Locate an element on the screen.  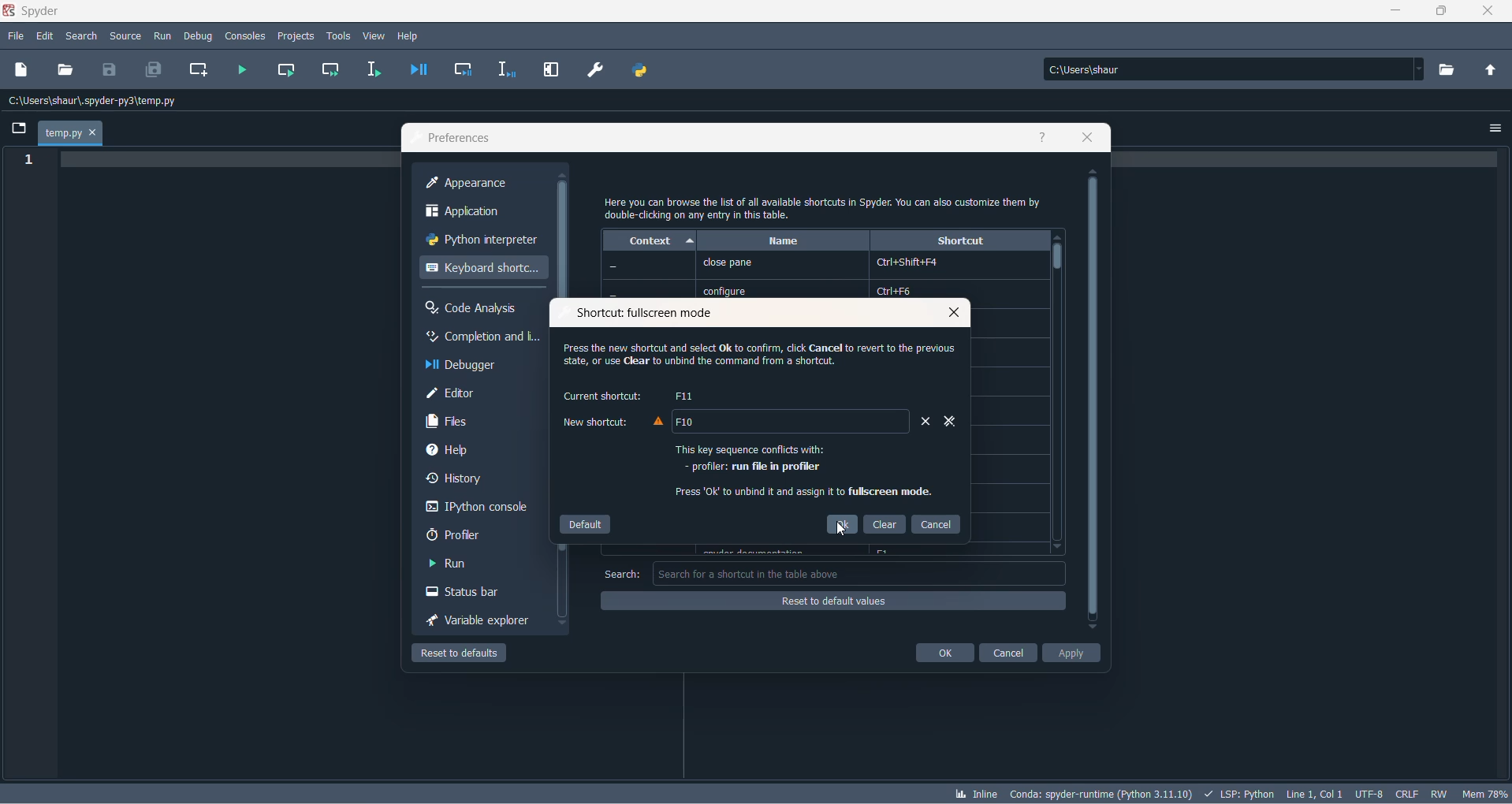
application is located at coordinates (481, 213).